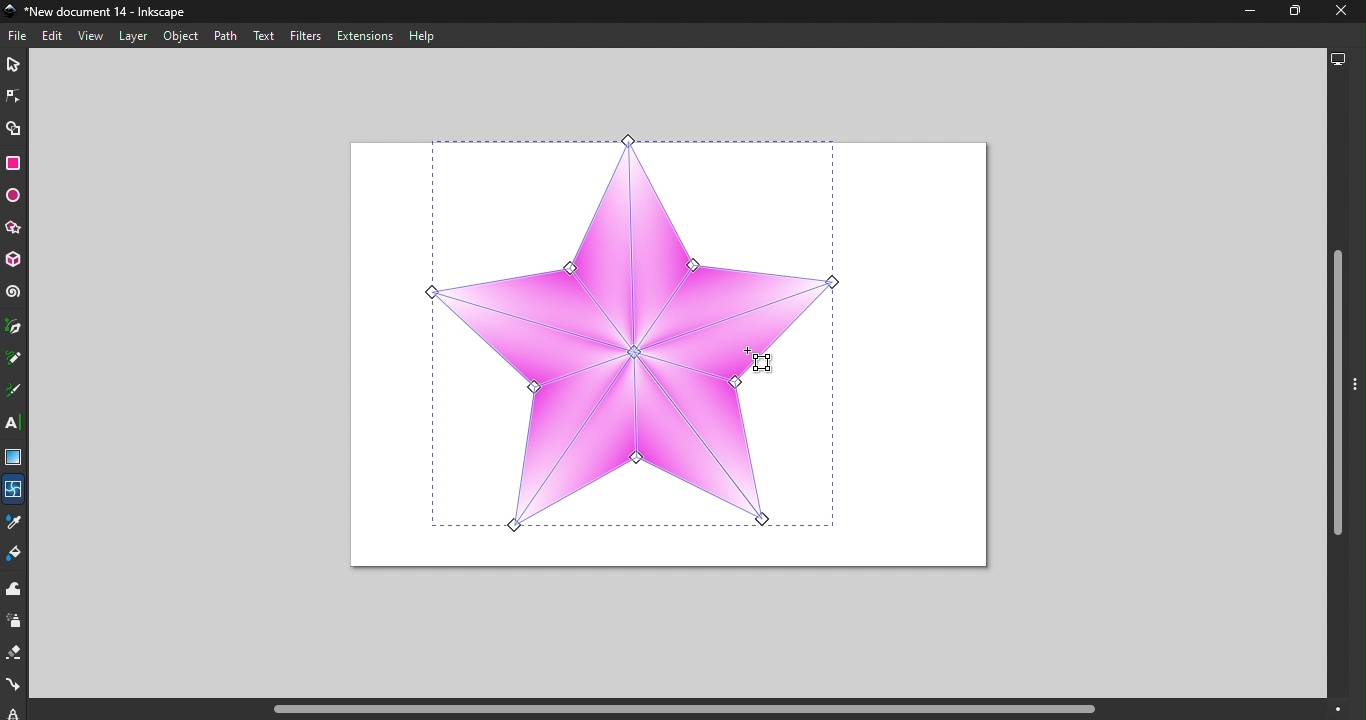 Image resolution: width=1366 pixels, height=720 pixels. I want to click on Rectangle tool, so click(13, 165).